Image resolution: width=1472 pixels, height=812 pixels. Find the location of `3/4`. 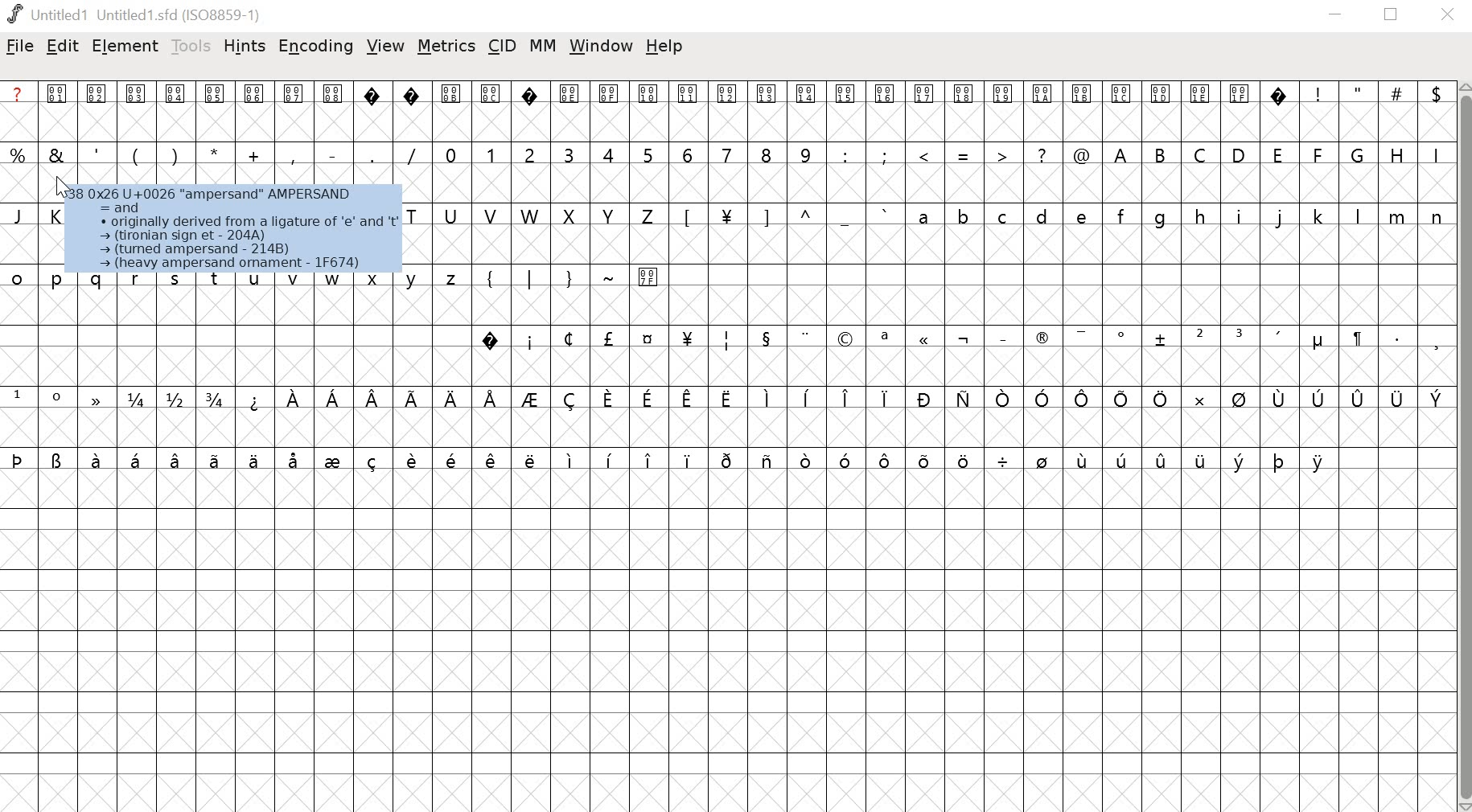

3/4 is located at coordinates (218, 399).